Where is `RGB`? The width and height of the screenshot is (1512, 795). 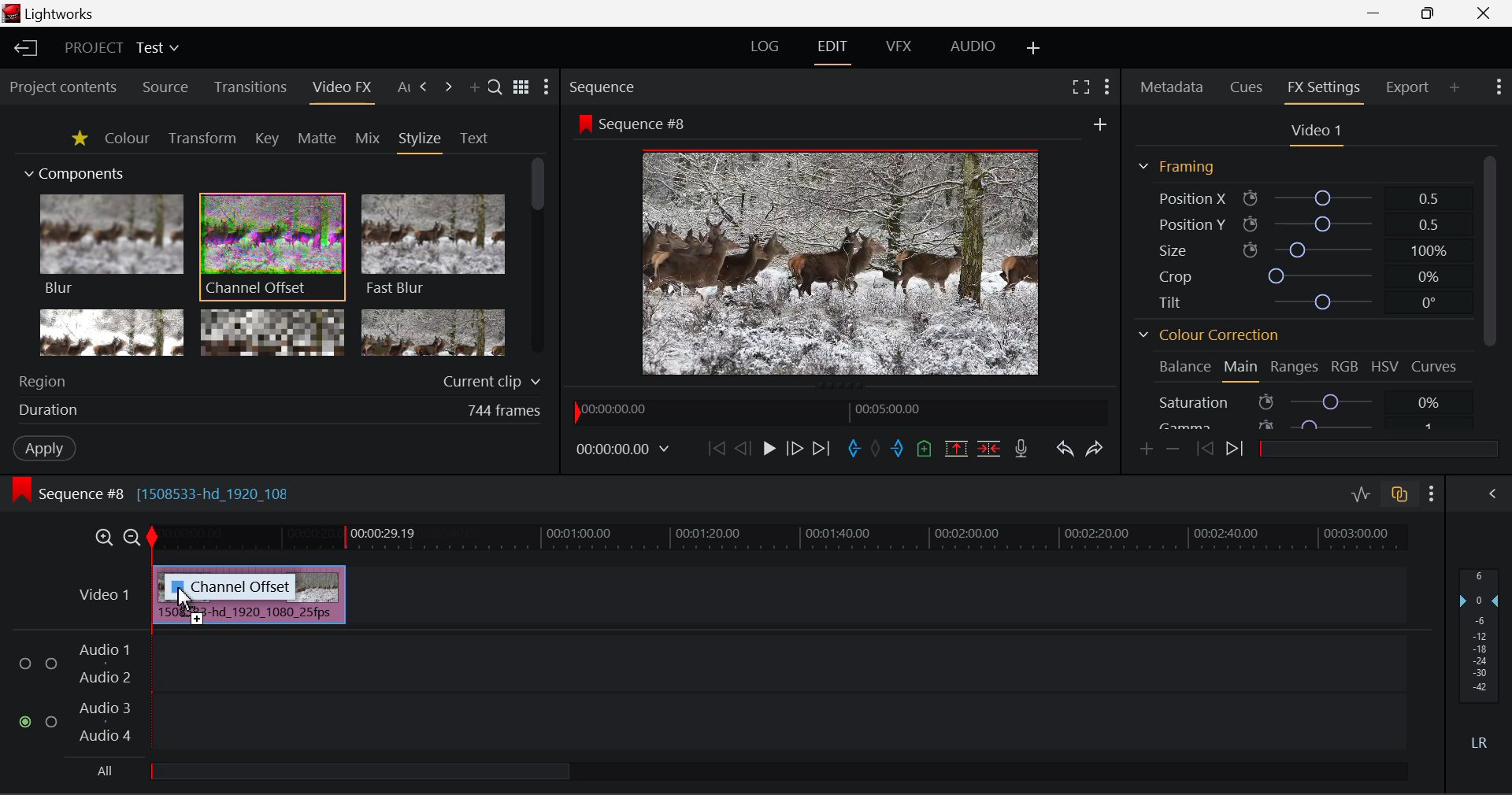
RGB is located at coordinates (1346, 366).